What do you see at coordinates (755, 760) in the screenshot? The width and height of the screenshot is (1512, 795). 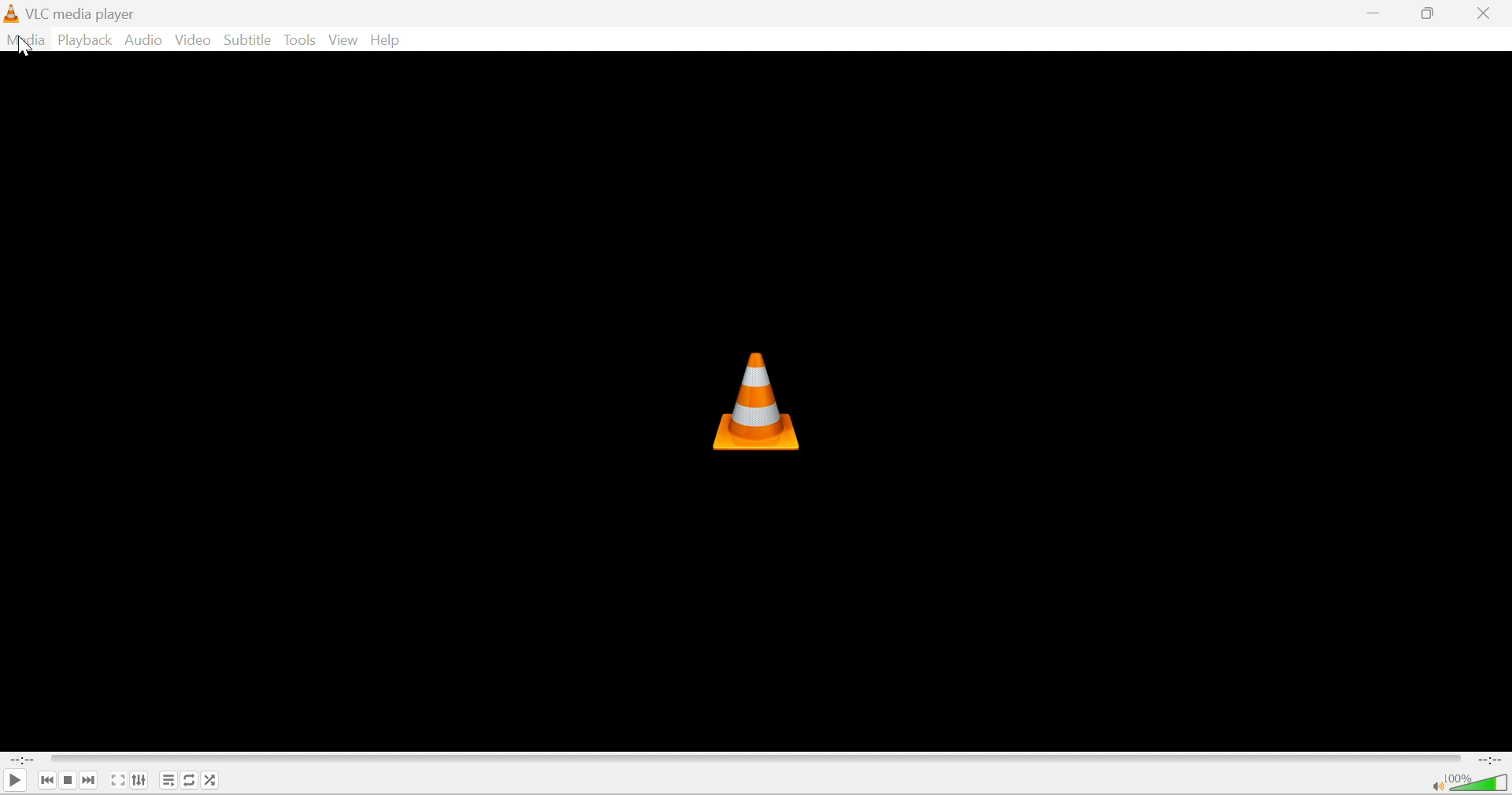 I see `Progress bar` at bounding box center [755, 760].